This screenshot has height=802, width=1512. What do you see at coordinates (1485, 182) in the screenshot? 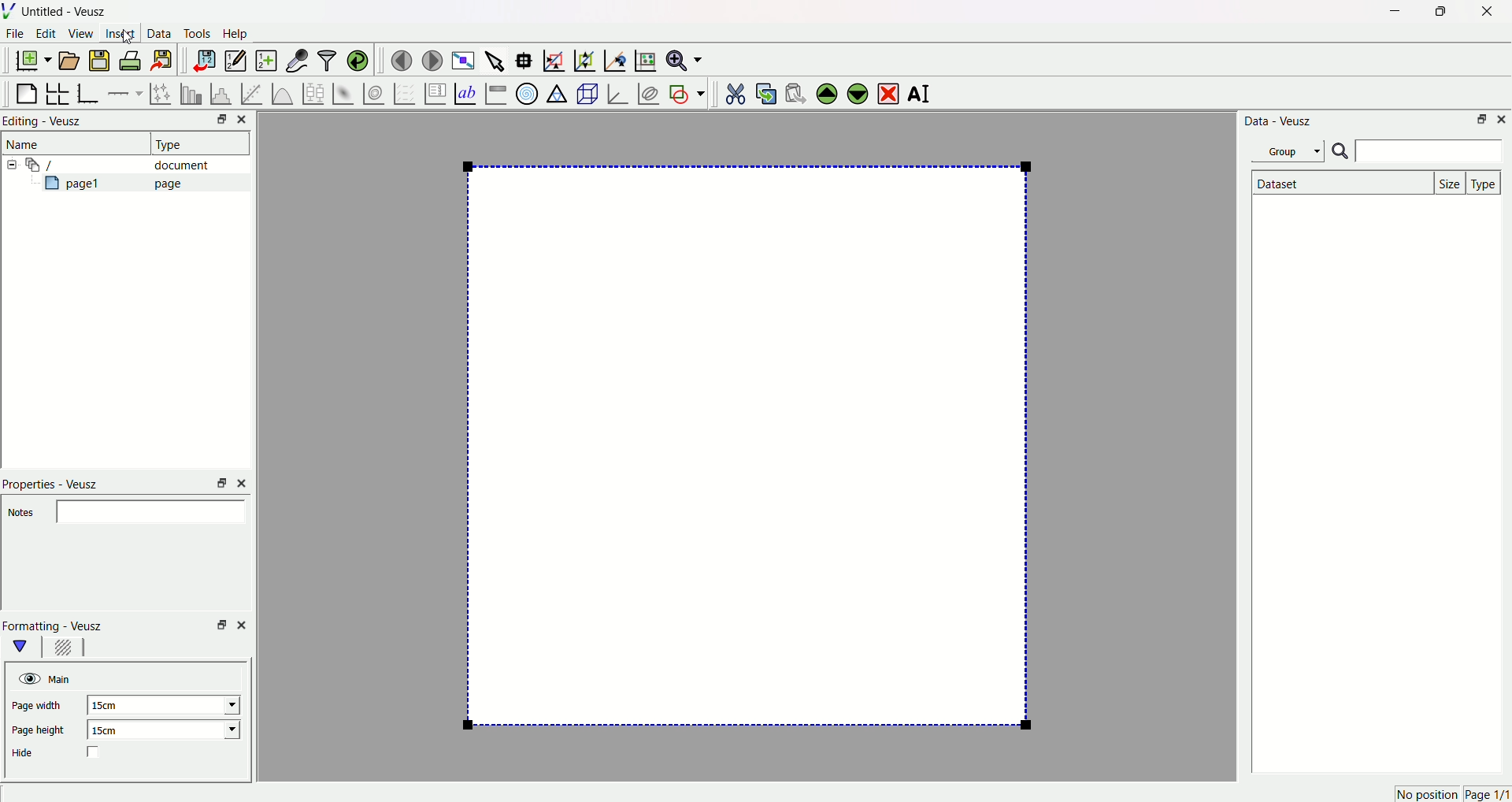
I see `Type` at bounding box center [1485, 182].